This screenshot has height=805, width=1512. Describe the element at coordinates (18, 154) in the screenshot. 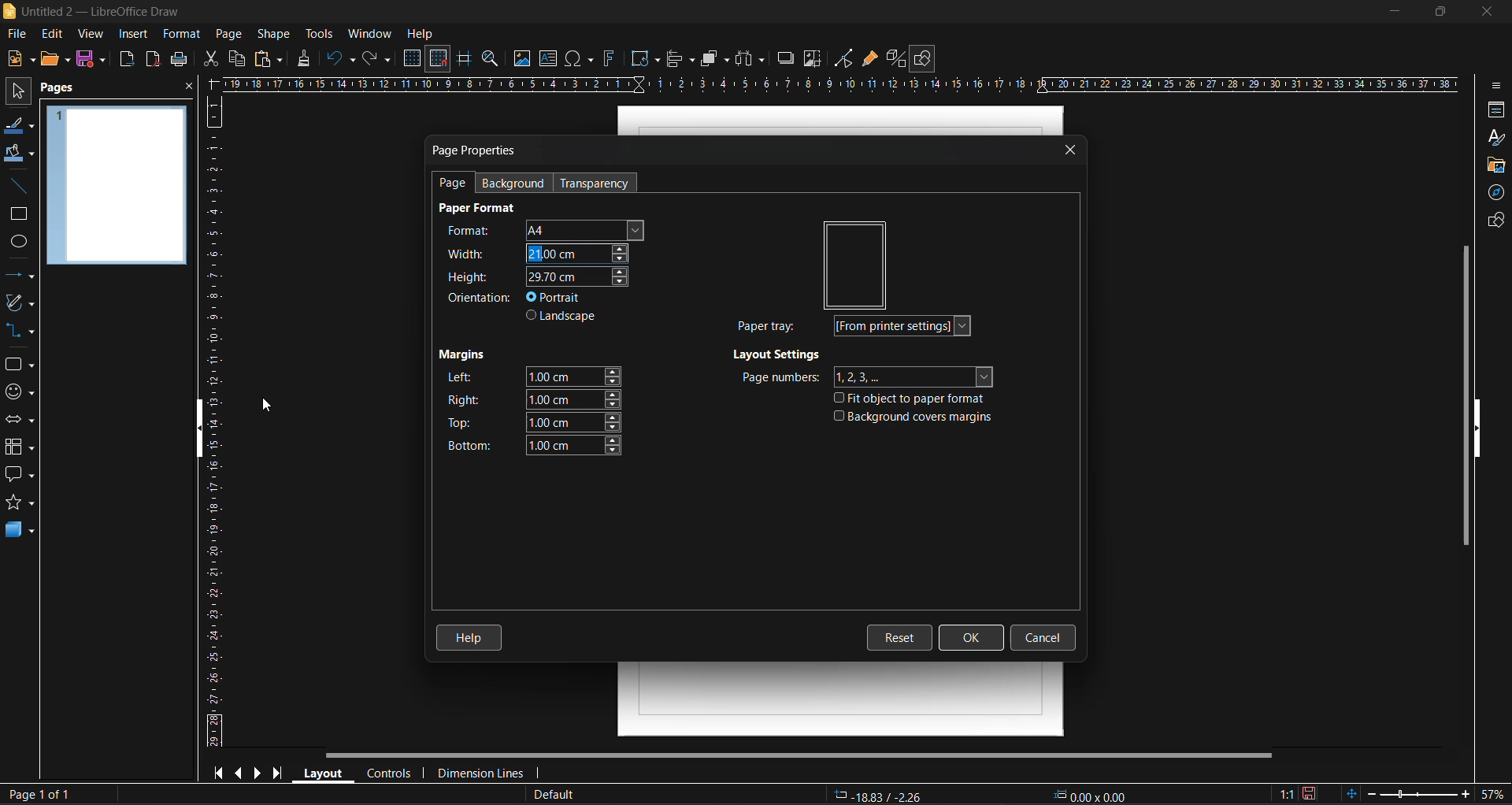

I see `fill color` at that location.